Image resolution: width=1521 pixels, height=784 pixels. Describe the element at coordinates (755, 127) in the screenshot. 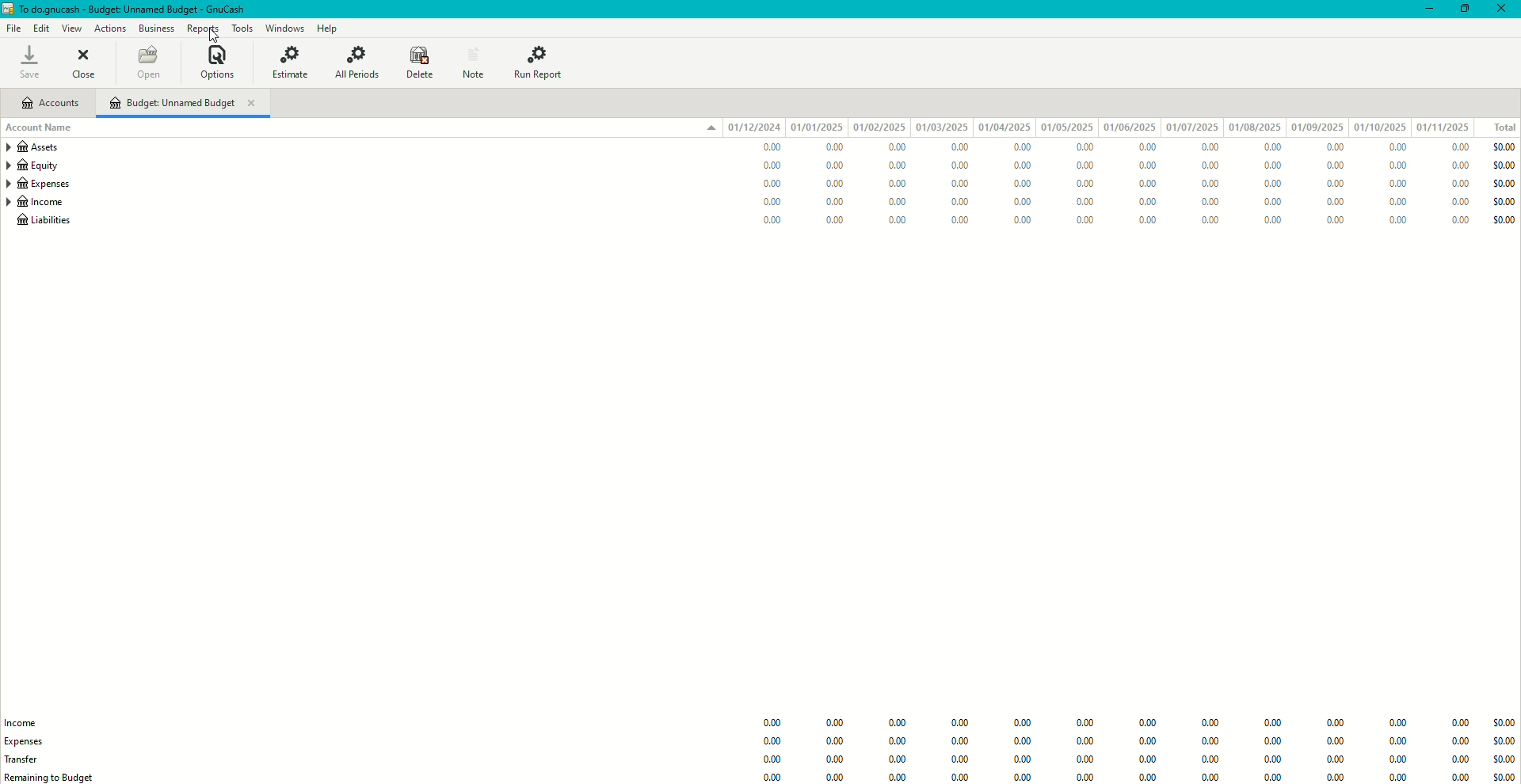

I see `01/12/024` at that location.